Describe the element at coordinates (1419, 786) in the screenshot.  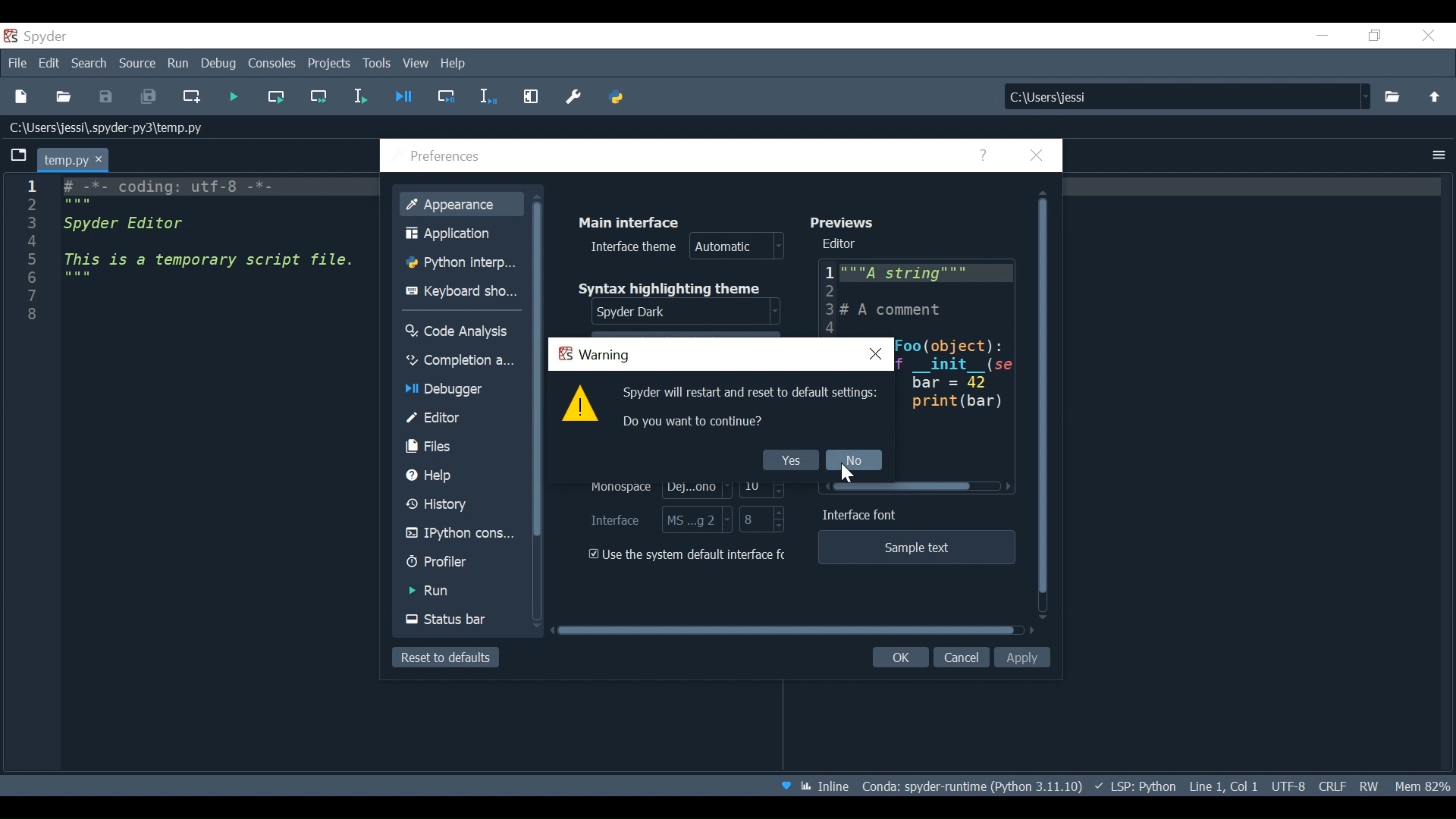
I see `Memory Usage` at that location.